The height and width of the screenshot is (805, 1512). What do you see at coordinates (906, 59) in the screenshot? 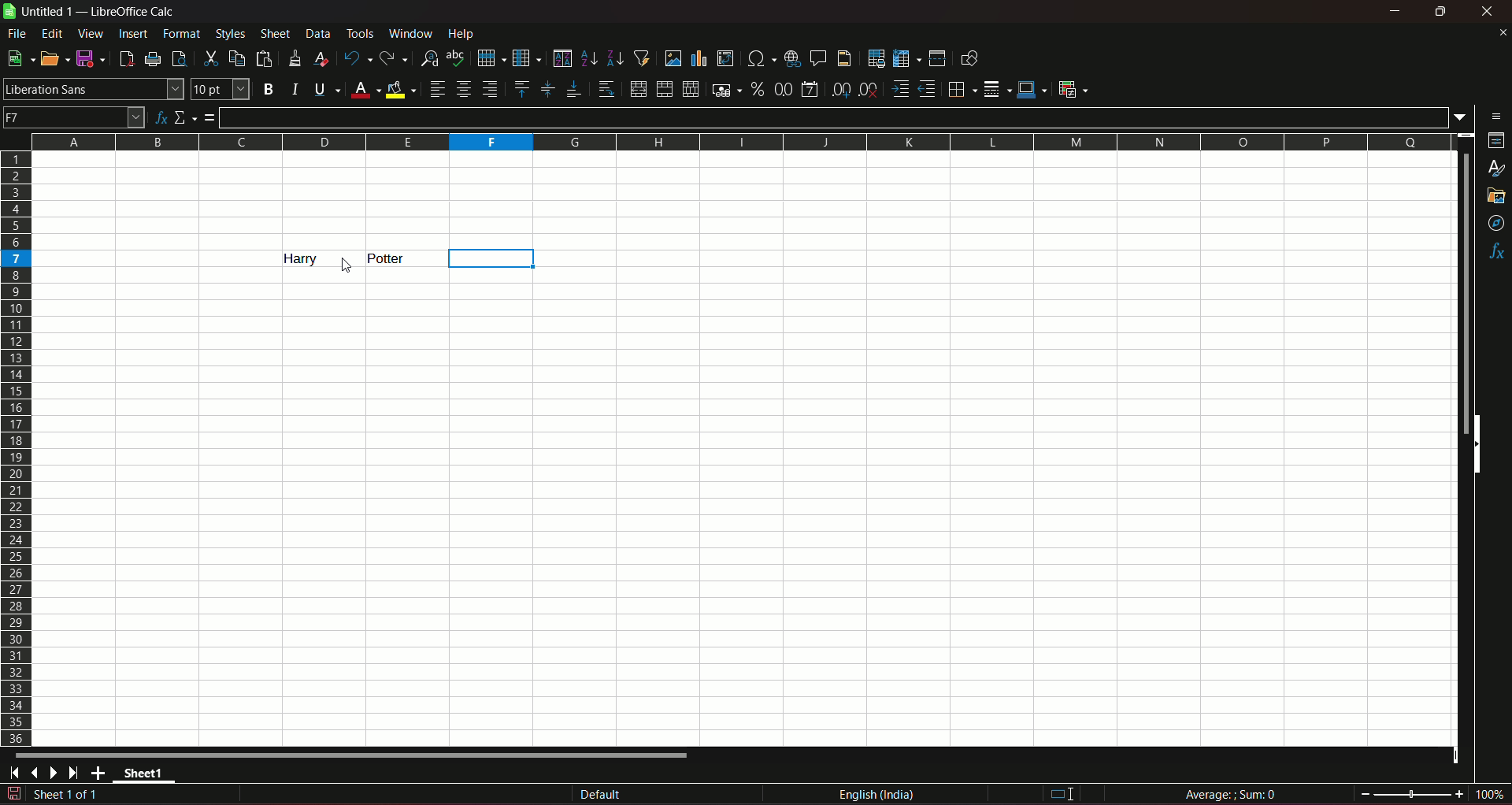
I see `freeze row & column` at bounding box center [906, 59].